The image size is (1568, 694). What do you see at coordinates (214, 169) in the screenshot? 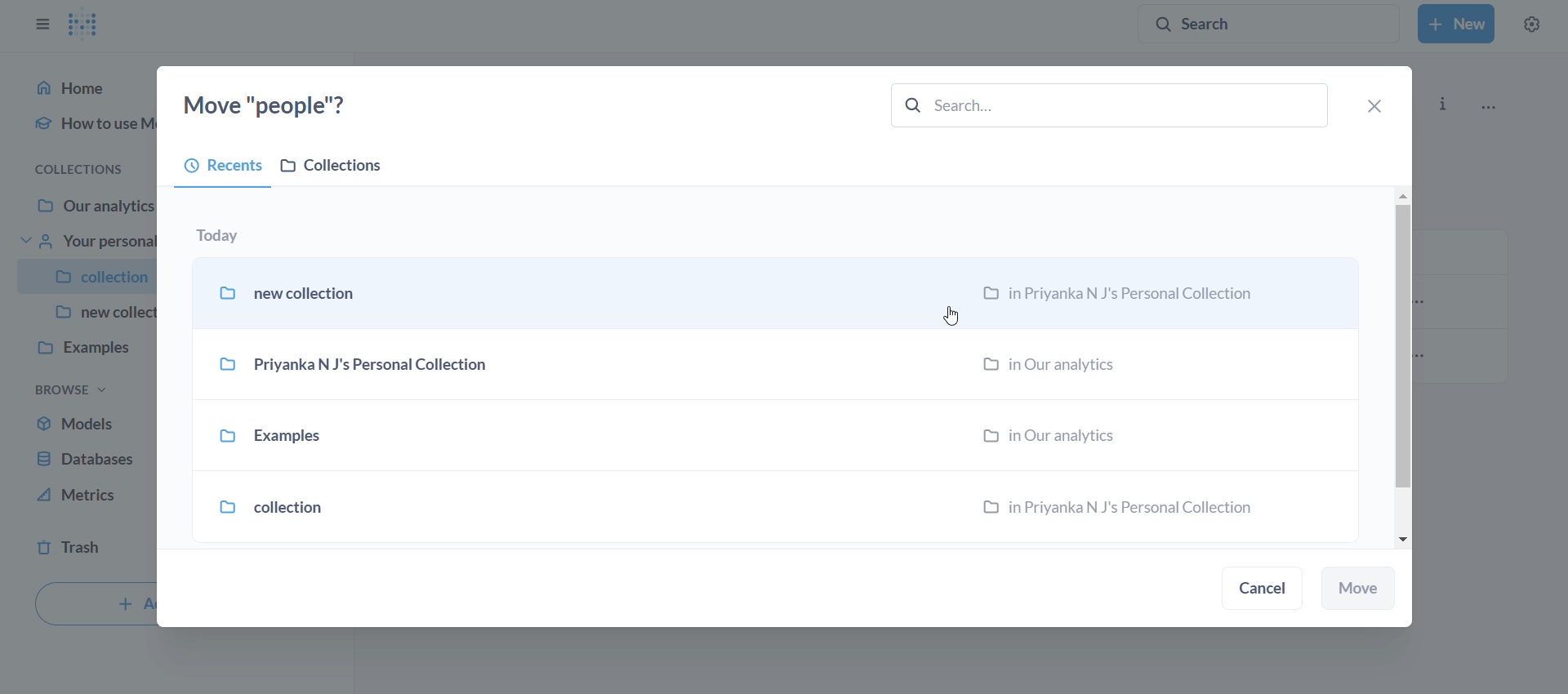
I see `recents` at bounding box center [214, 169].